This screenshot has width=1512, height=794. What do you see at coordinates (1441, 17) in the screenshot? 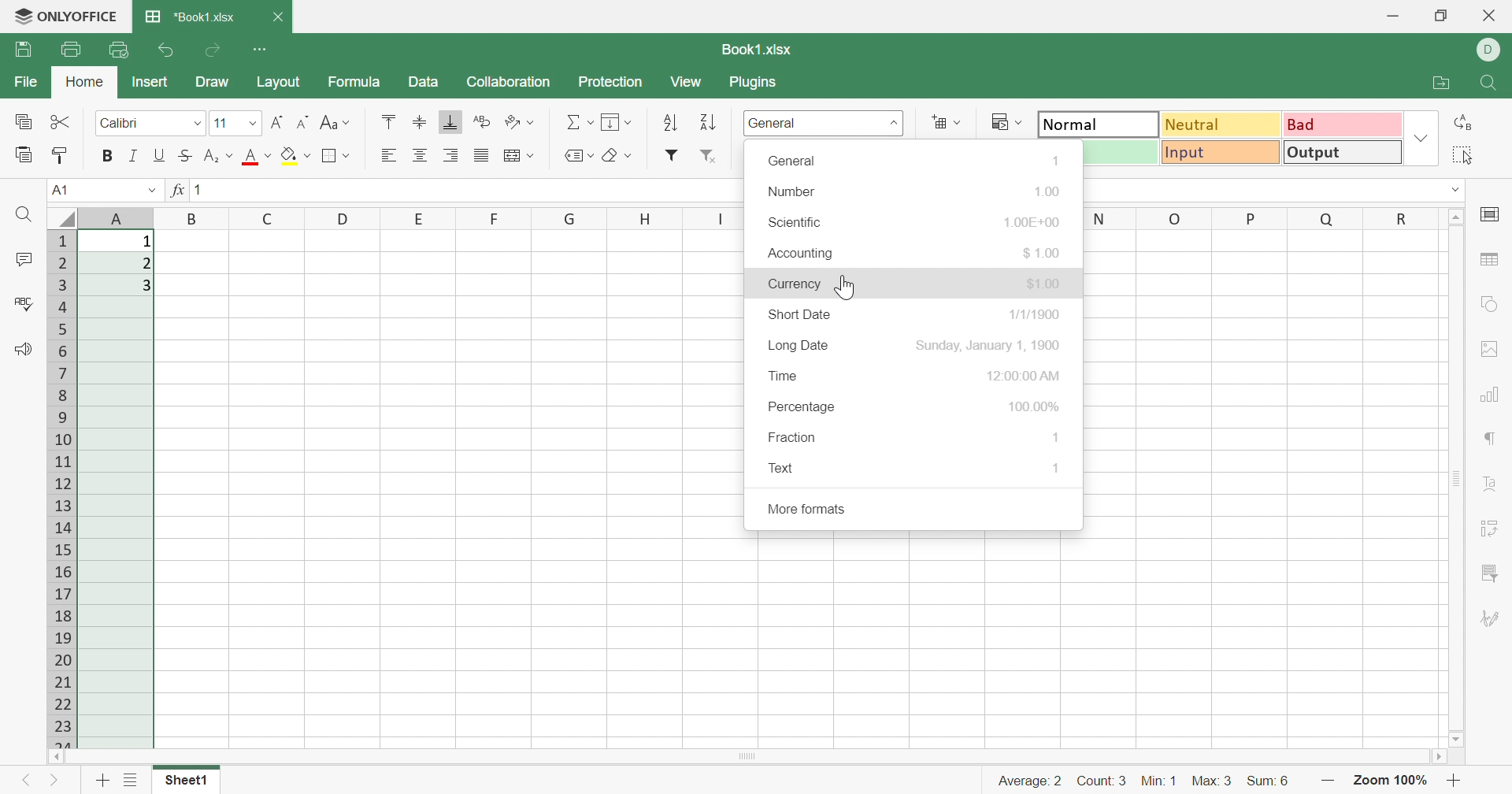
I see `Restore down` at bounding box center [1441, 17].